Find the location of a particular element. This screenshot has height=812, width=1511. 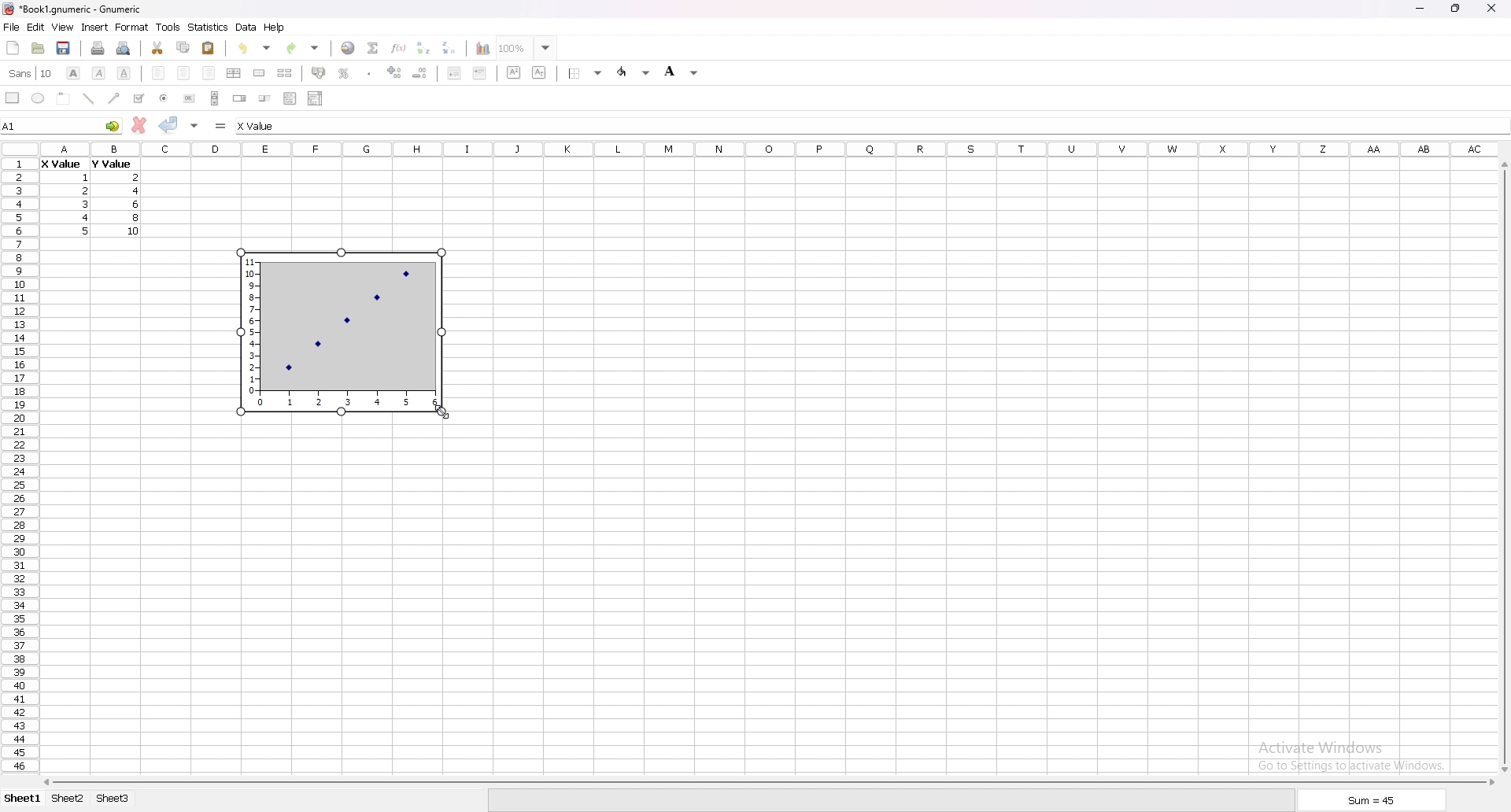

thousands separator is located at coordinates (370, 72).